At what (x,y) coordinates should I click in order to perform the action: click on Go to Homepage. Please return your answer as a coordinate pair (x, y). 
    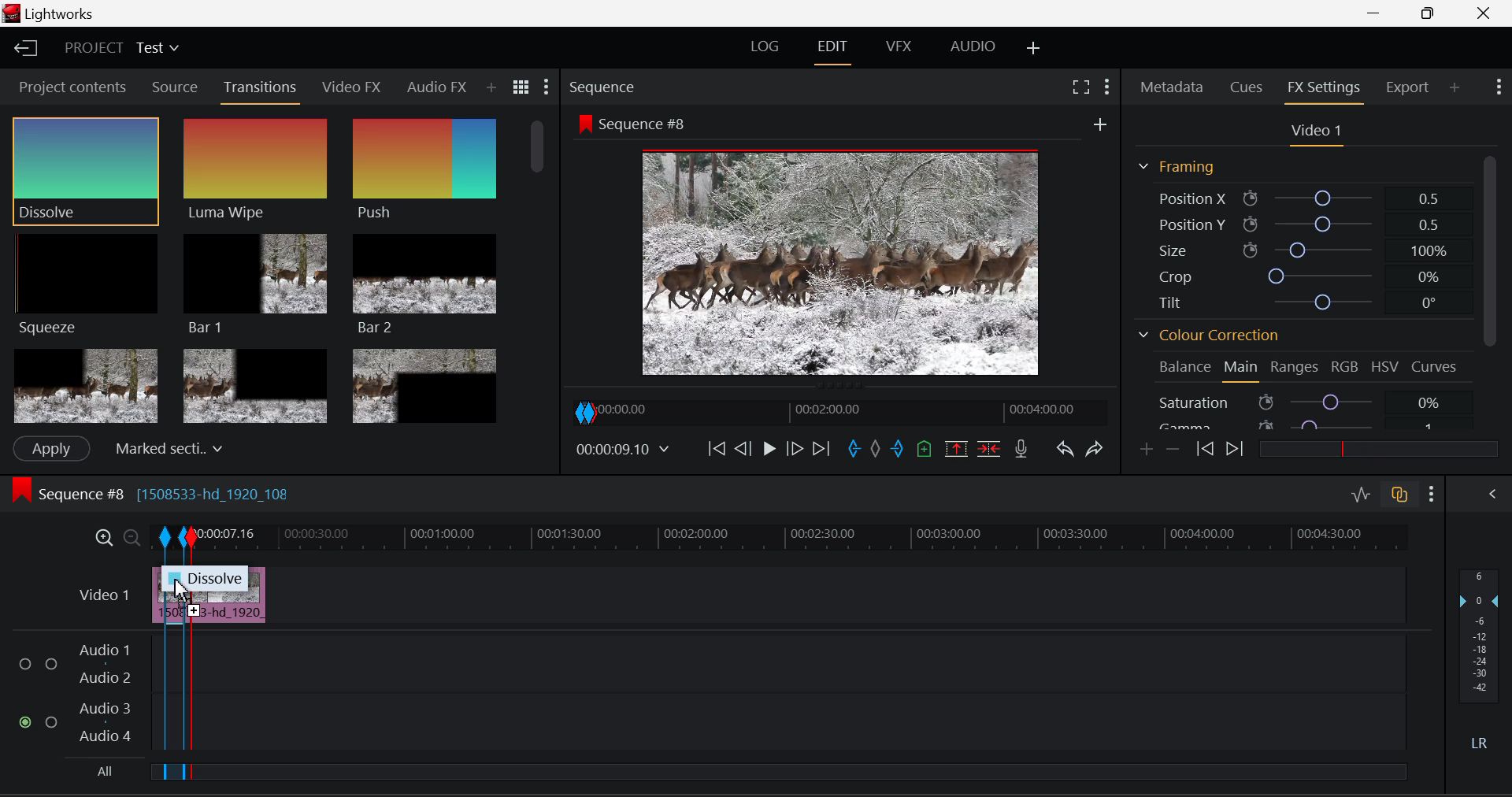
    Looking at the image, I should click on (27, 50).